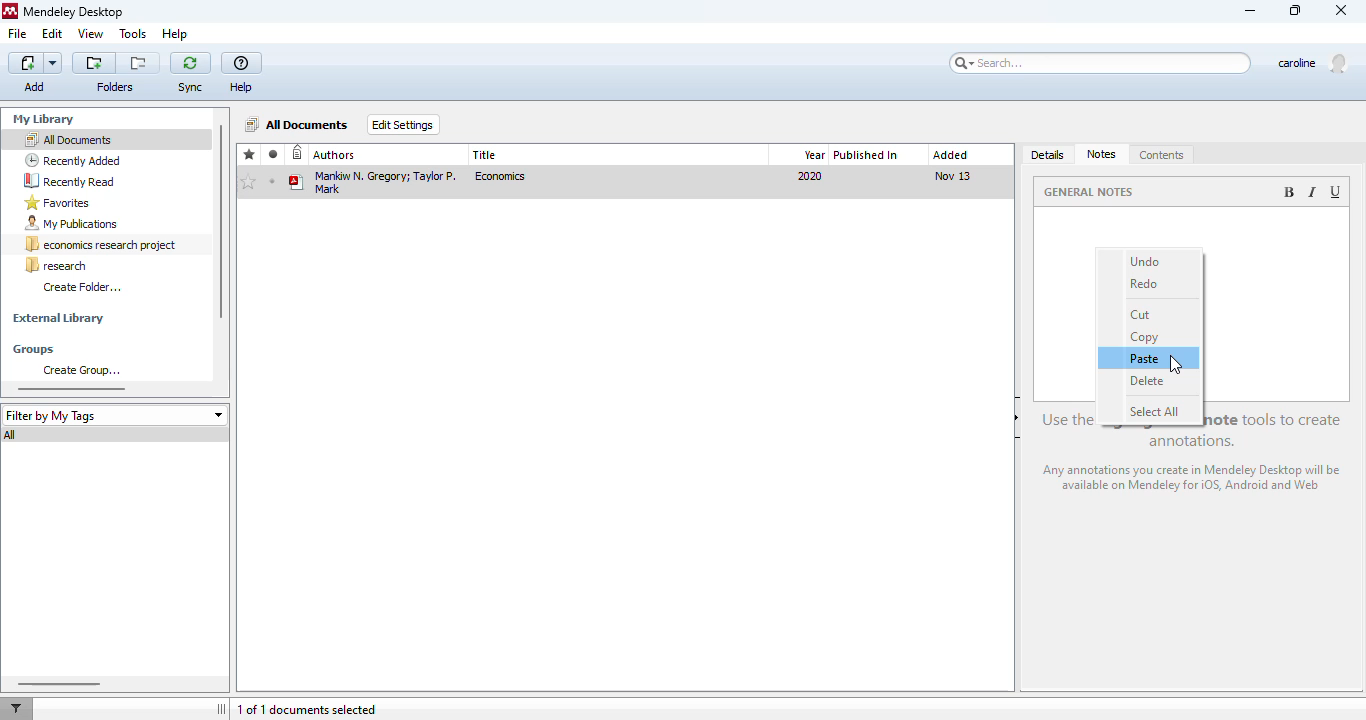 The width and height of the screenshot is (1366, 720). What do you see at coordinates (67, 139) in the screenshot?
I see `all documents` at bounding box center [67, 139].